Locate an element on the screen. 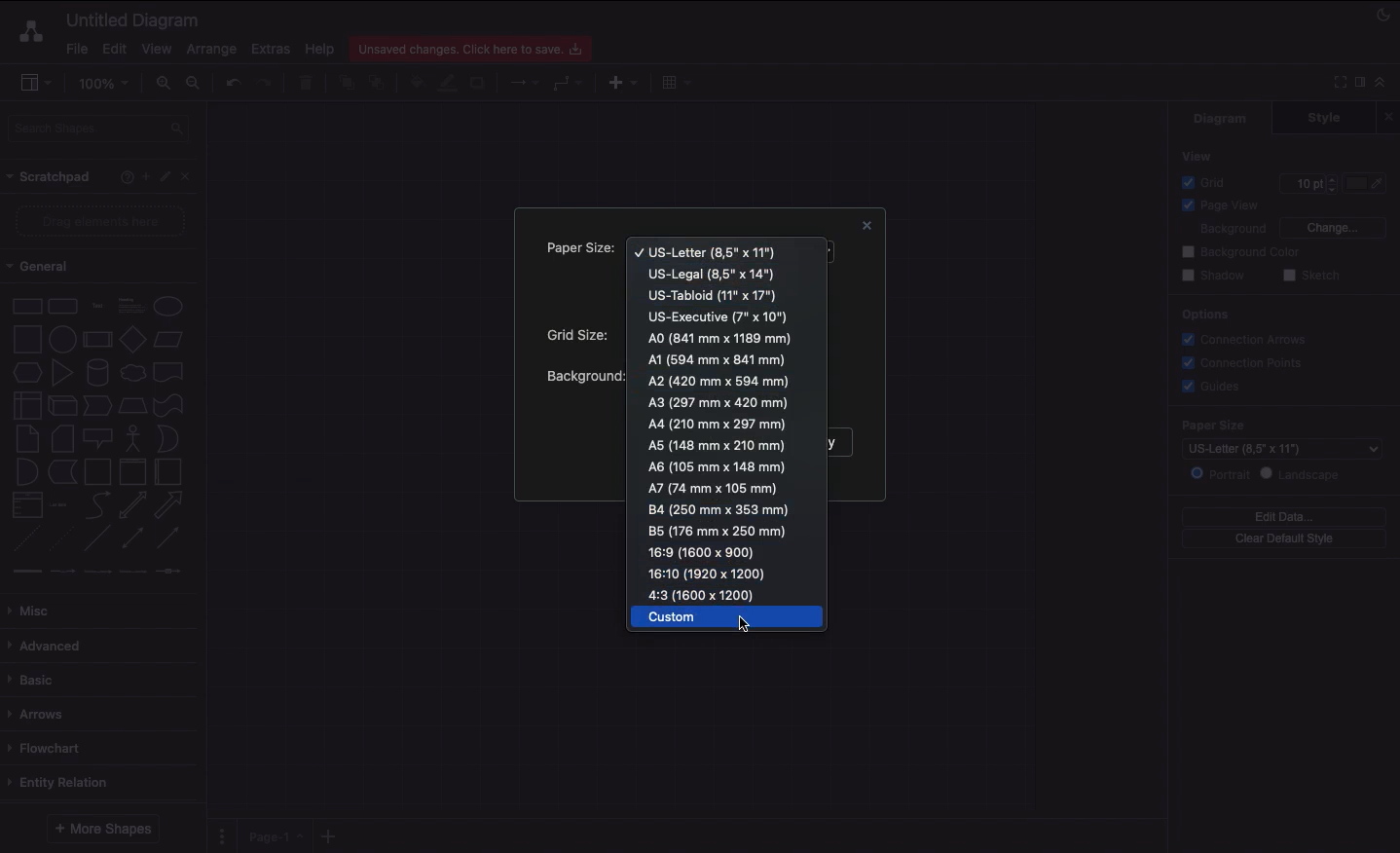 This screenshot has width=1400, height=853. Flowchart is located at coordinates (48, 748).